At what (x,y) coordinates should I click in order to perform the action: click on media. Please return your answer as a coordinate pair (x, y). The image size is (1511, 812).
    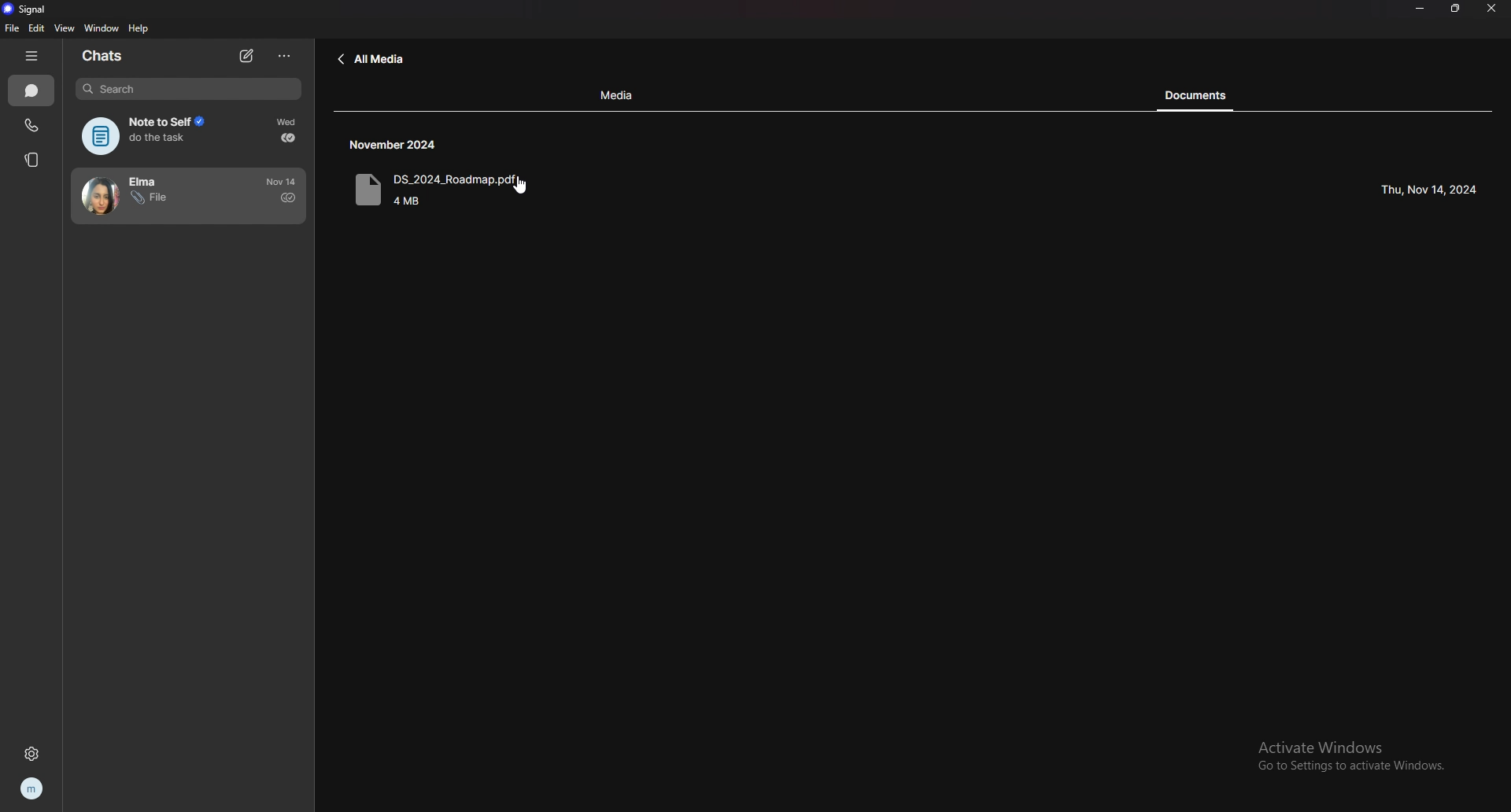
    Looking at the image, I should click on (619, 96).